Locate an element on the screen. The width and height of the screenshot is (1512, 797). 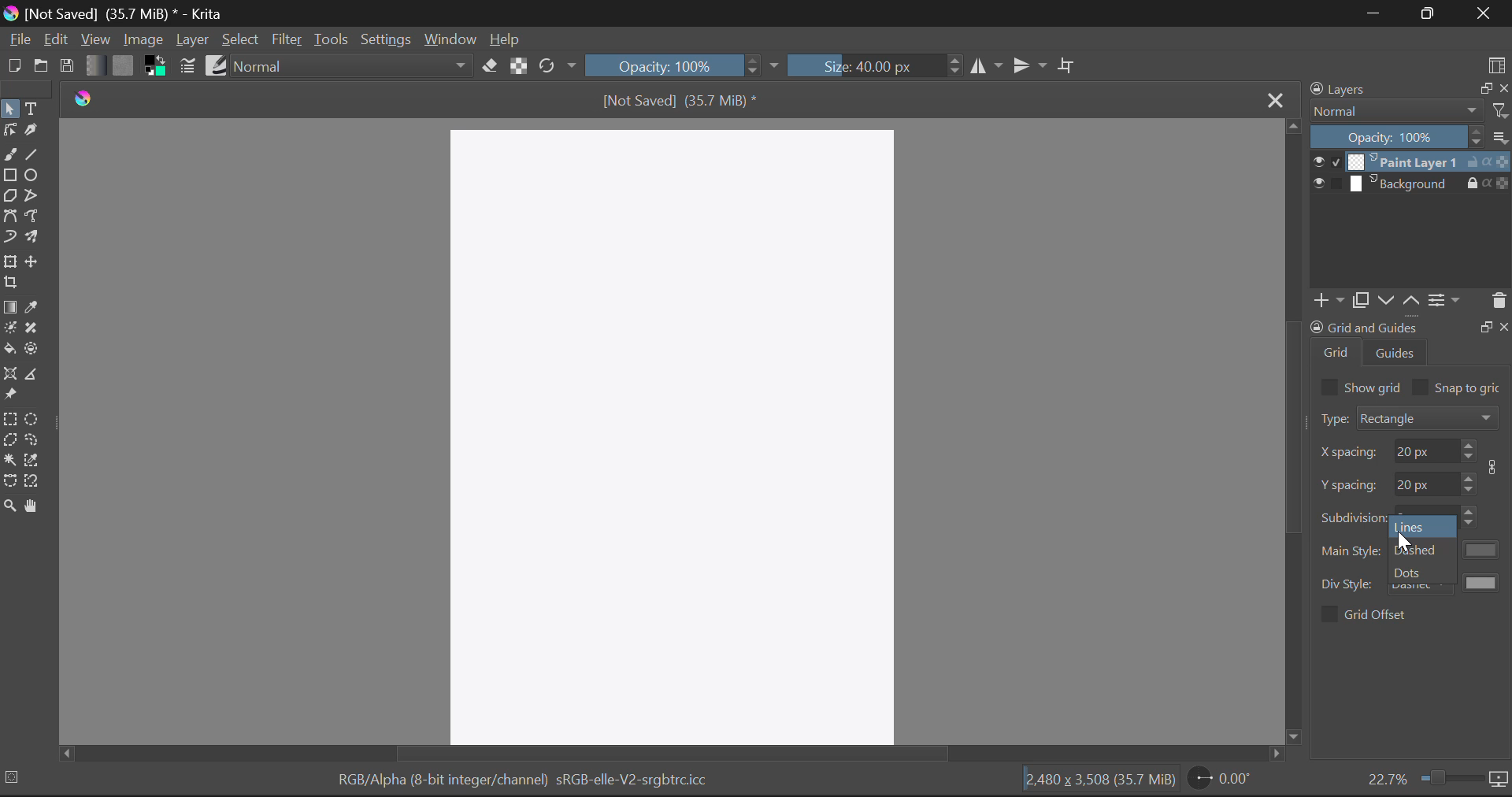
 is located at coordinates (1485, 325).